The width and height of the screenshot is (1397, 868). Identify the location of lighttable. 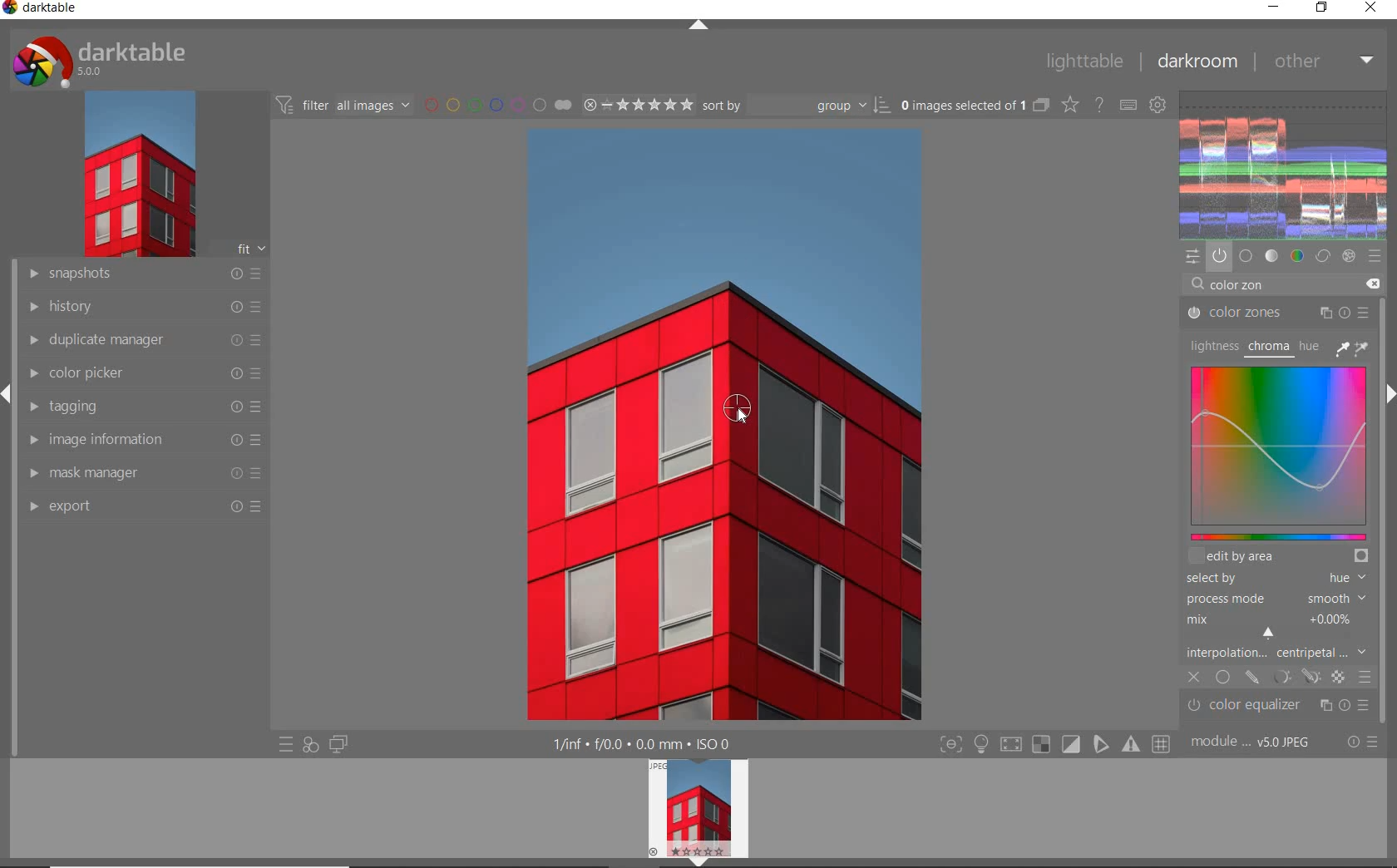
(1083, 62).